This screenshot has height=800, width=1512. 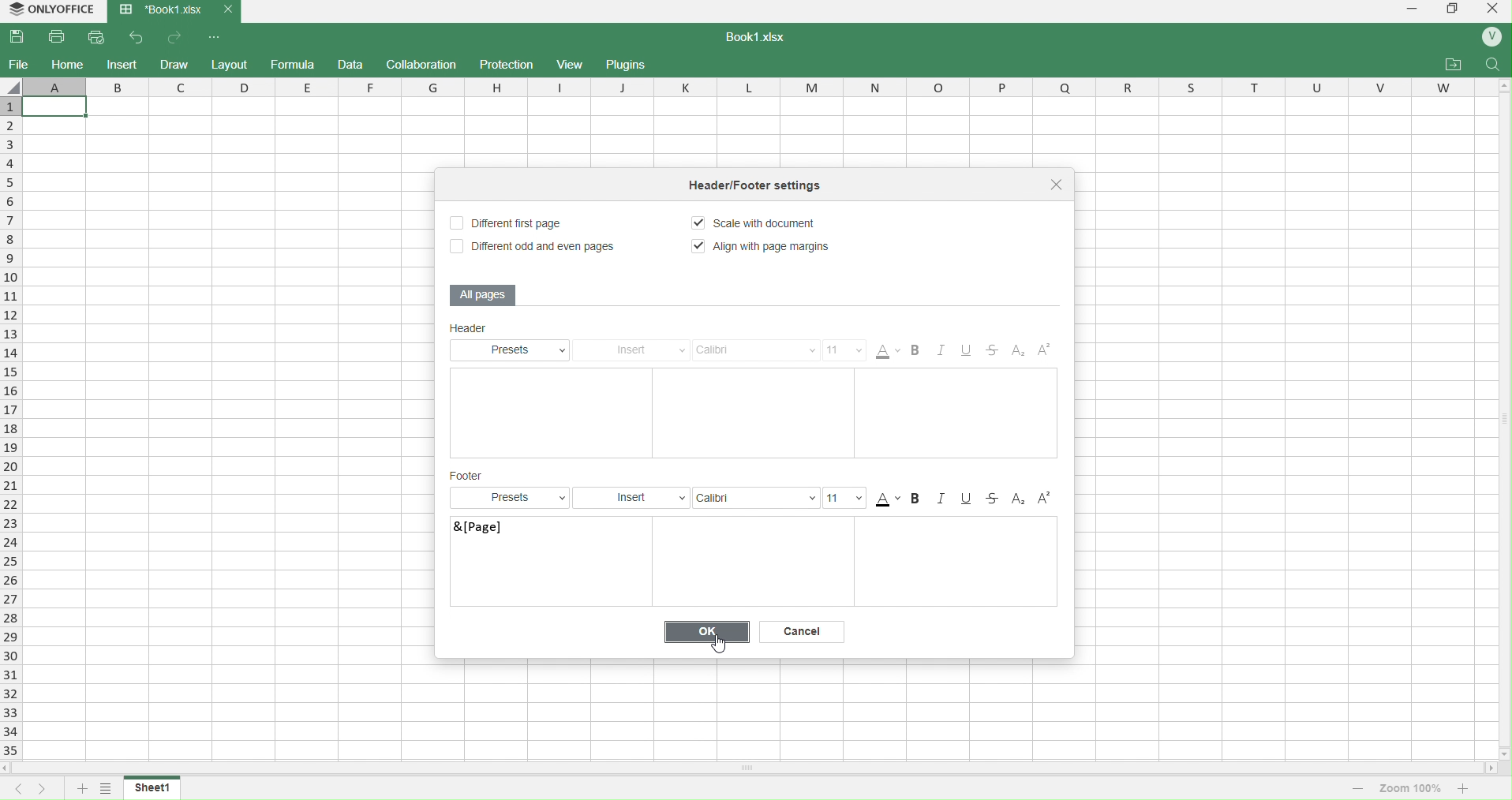 What do you see at coordinates (996, 352) in the screenshot?
I see `Strikethrough` at bounding box center [996, 352].